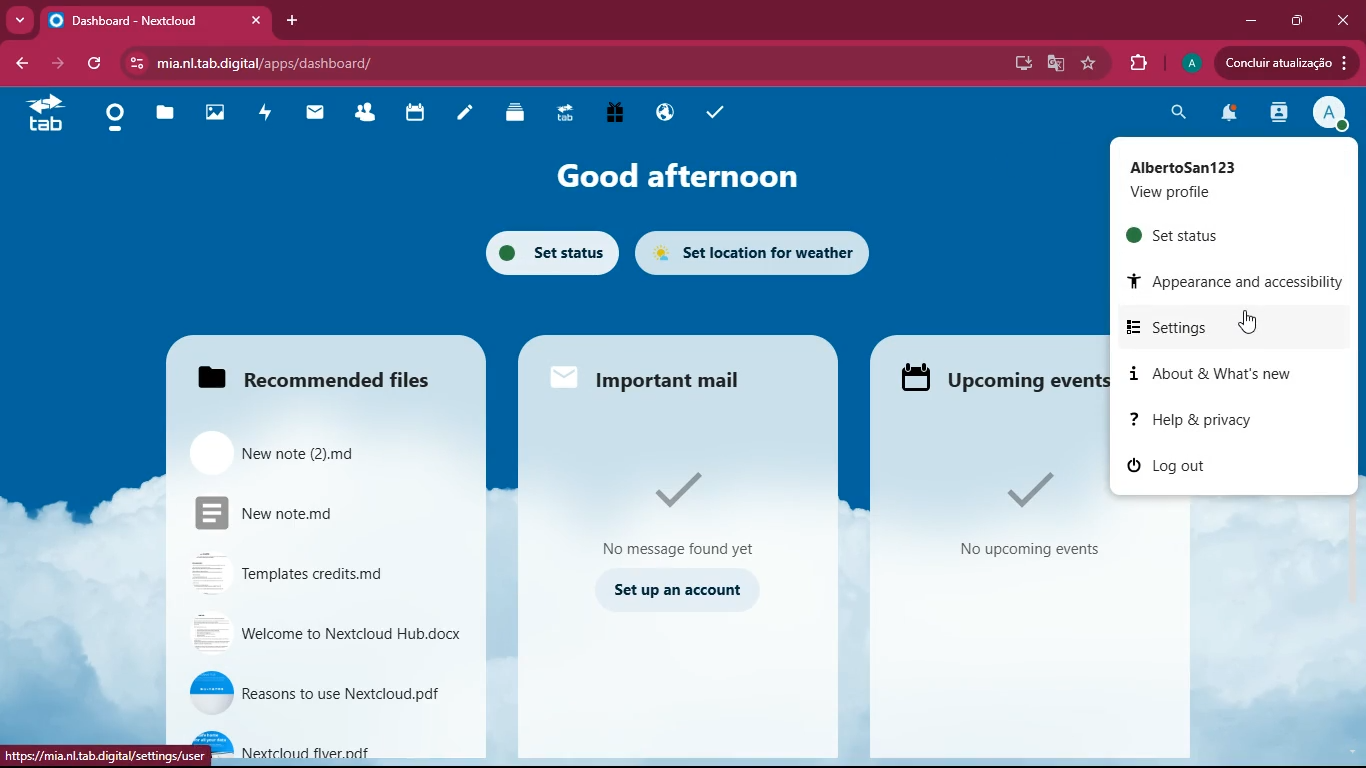 Image resolution: width=1366 pixels, height=768 pixels. Describe the element at coordinates (19, 20) in the screenshot. I see `more` at that location.